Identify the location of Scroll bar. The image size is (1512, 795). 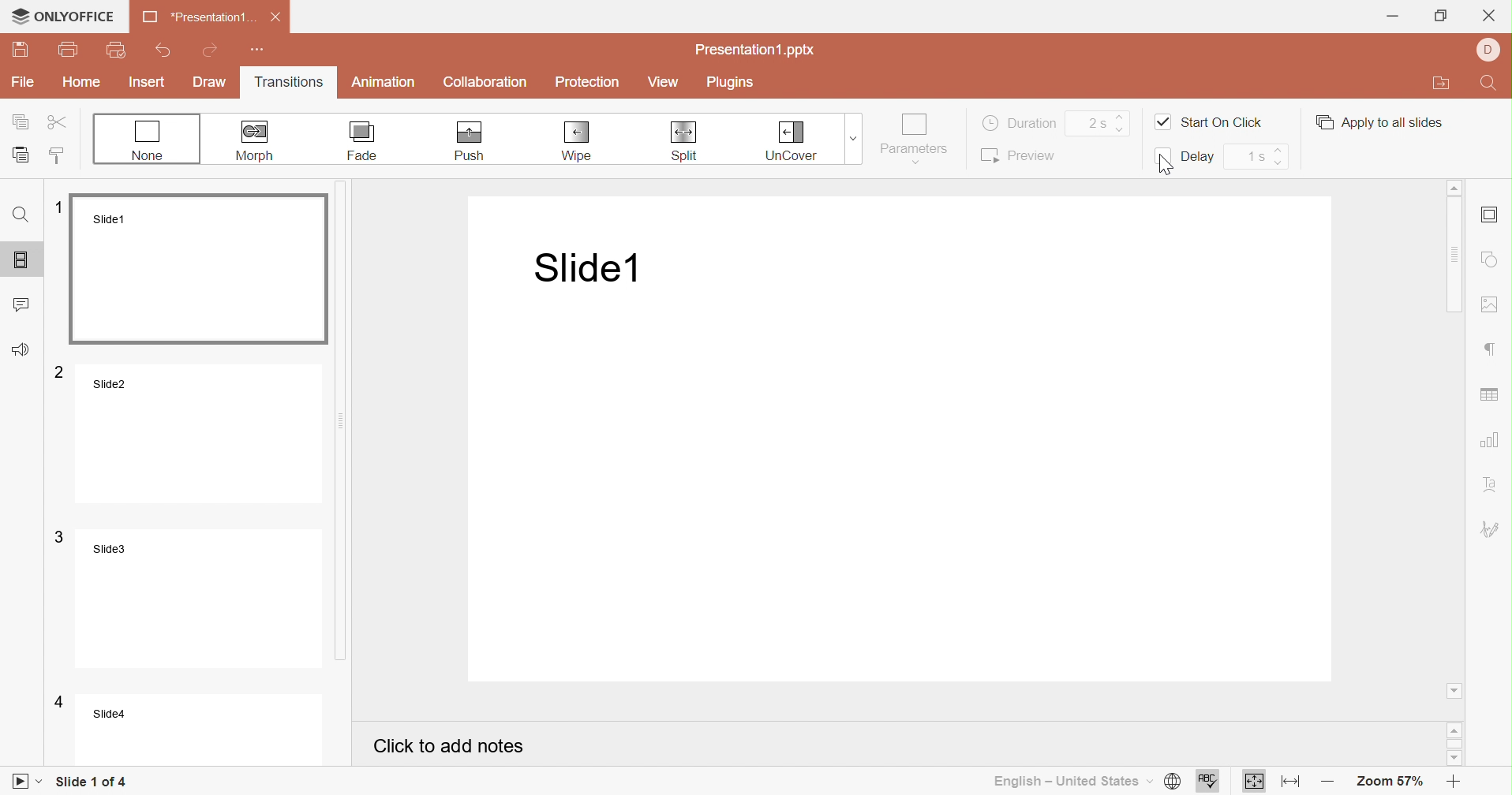
(1454, 746).